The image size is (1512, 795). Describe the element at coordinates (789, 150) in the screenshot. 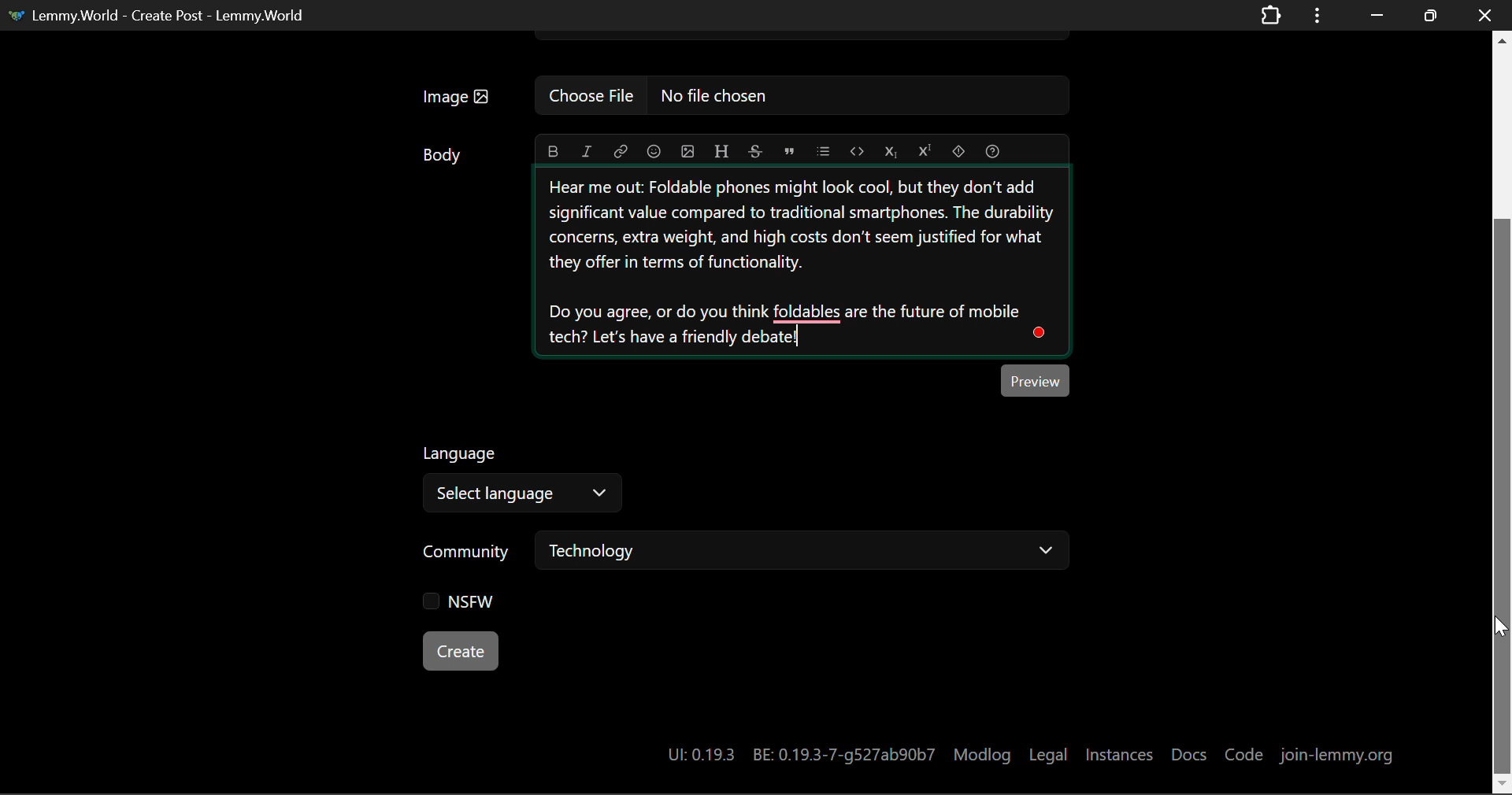

I see `quote` at that location.